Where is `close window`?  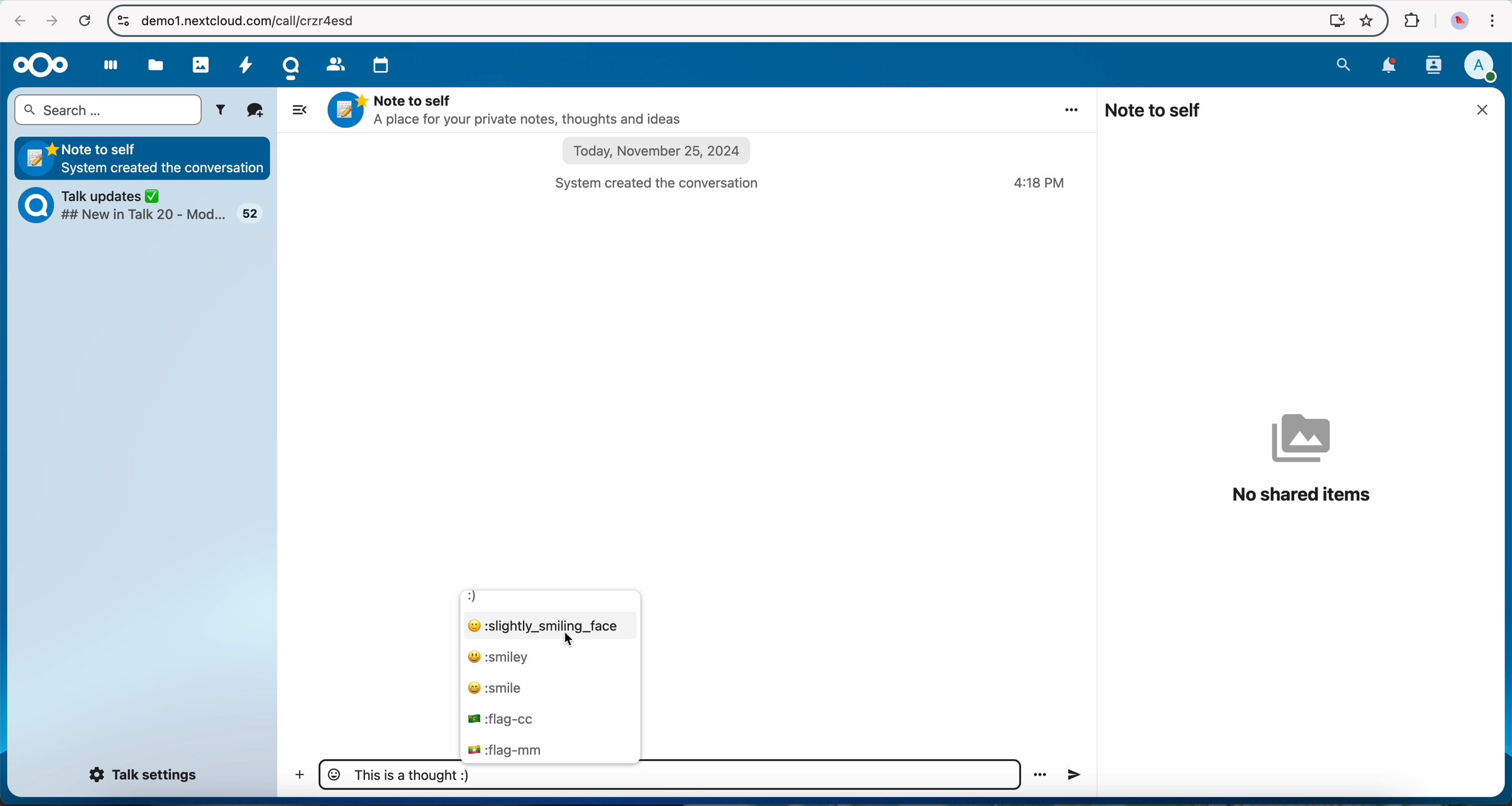
close window is located at coordinates (1486, 110).